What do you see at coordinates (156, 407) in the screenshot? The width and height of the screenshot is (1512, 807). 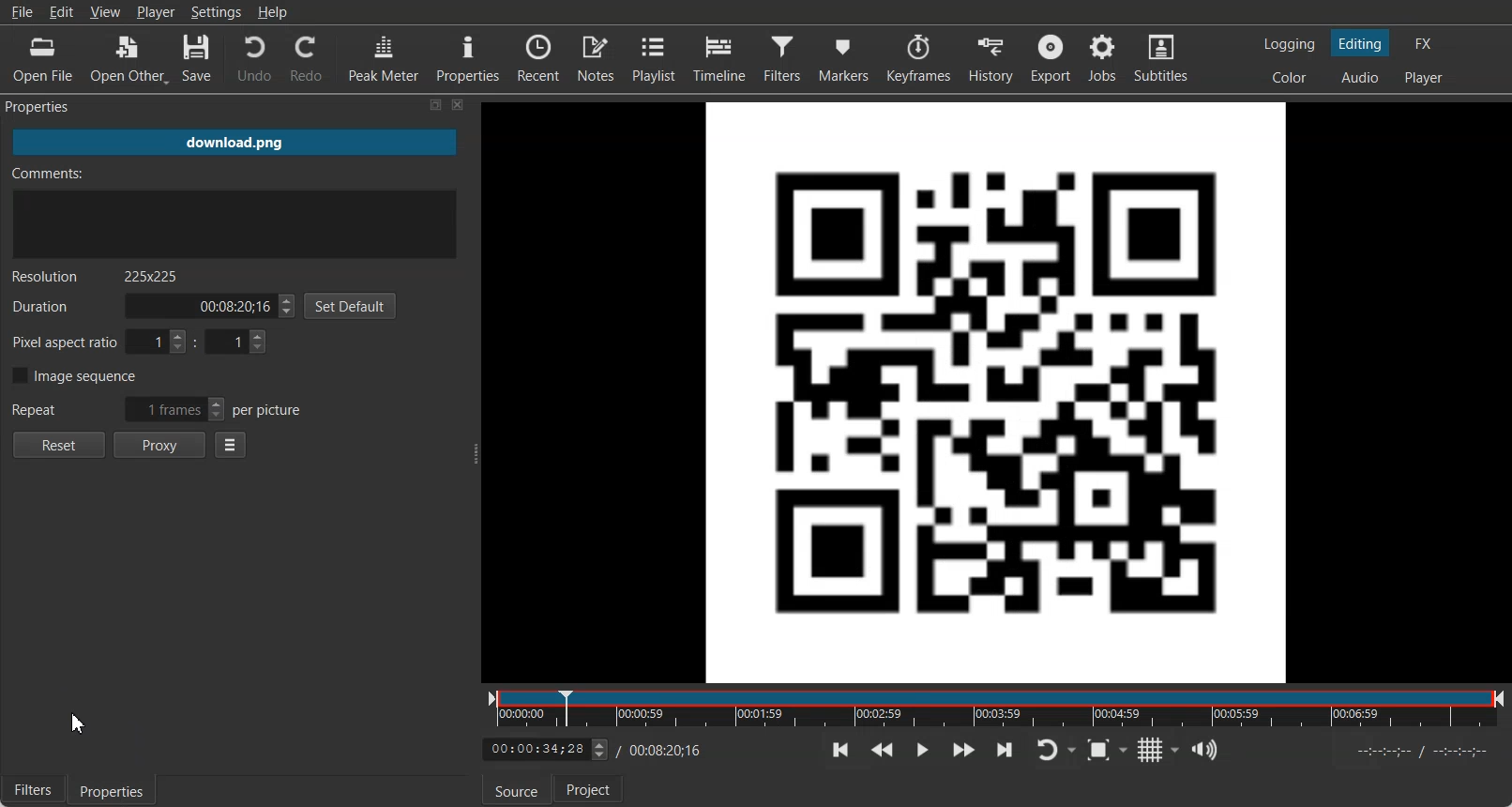 I see `Repeat pictures per frame adjuster` at bounding box center [156, 407].